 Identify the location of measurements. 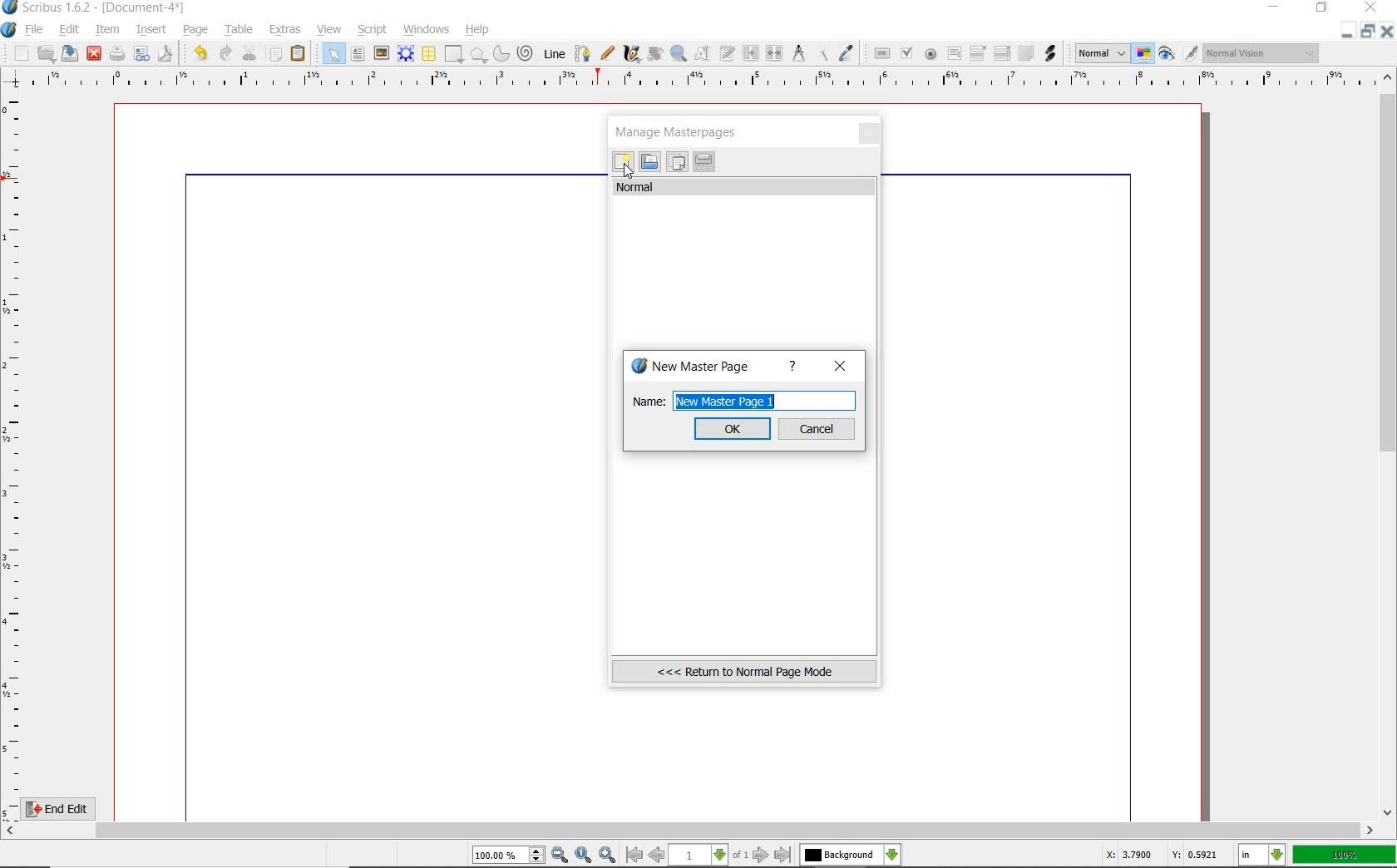
(799, 54).